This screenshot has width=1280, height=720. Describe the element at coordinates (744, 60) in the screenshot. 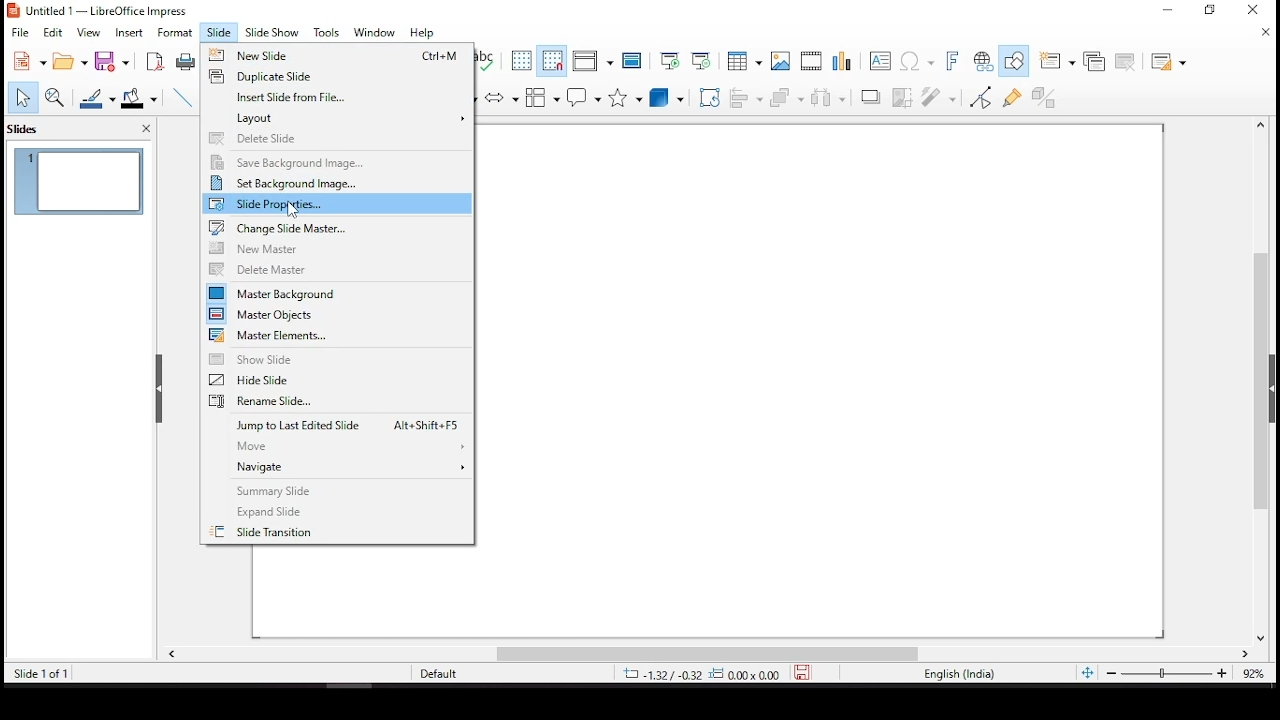

I see `table` at that location.